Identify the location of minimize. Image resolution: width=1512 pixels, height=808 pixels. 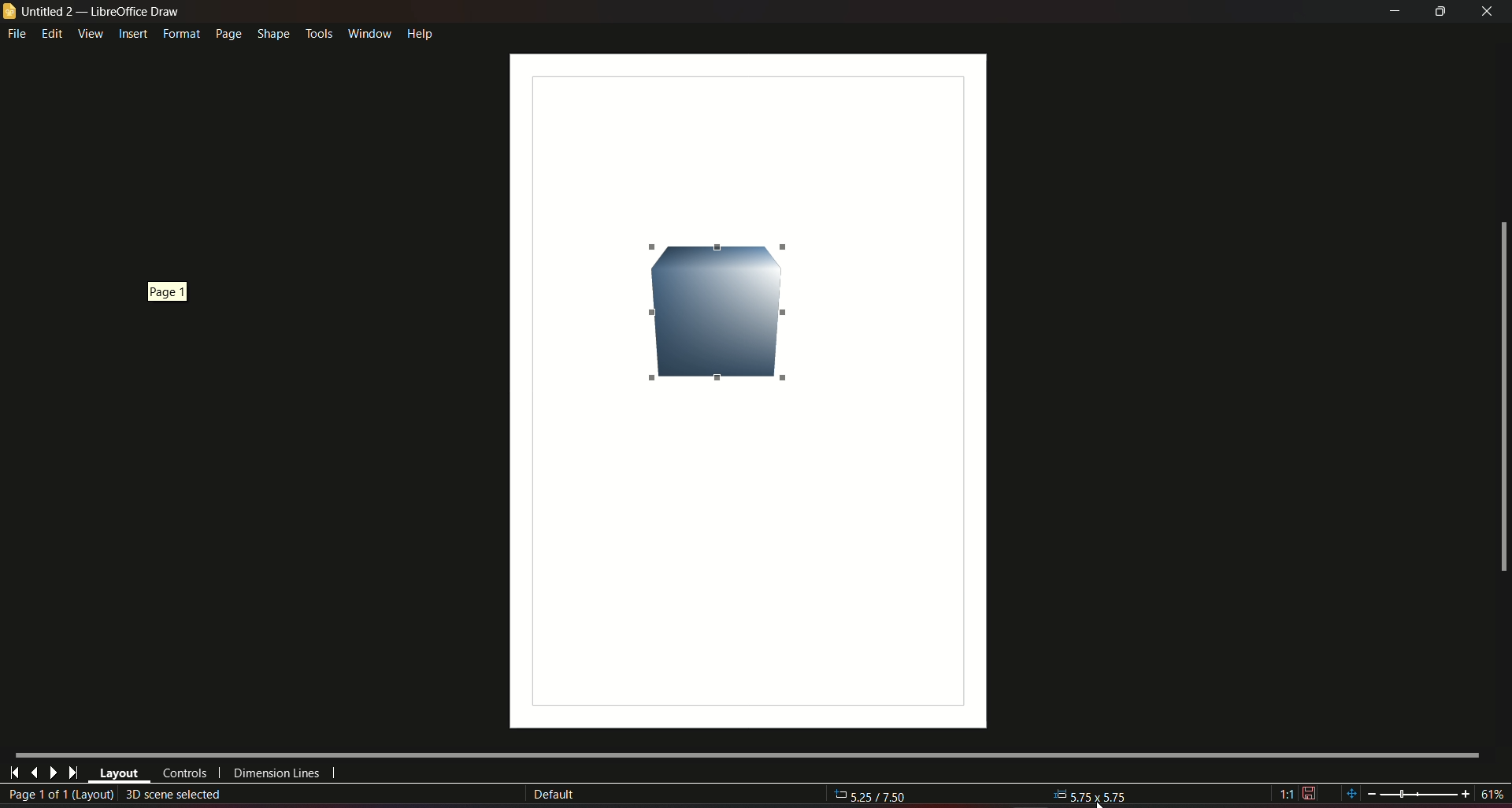
(1392, 12).